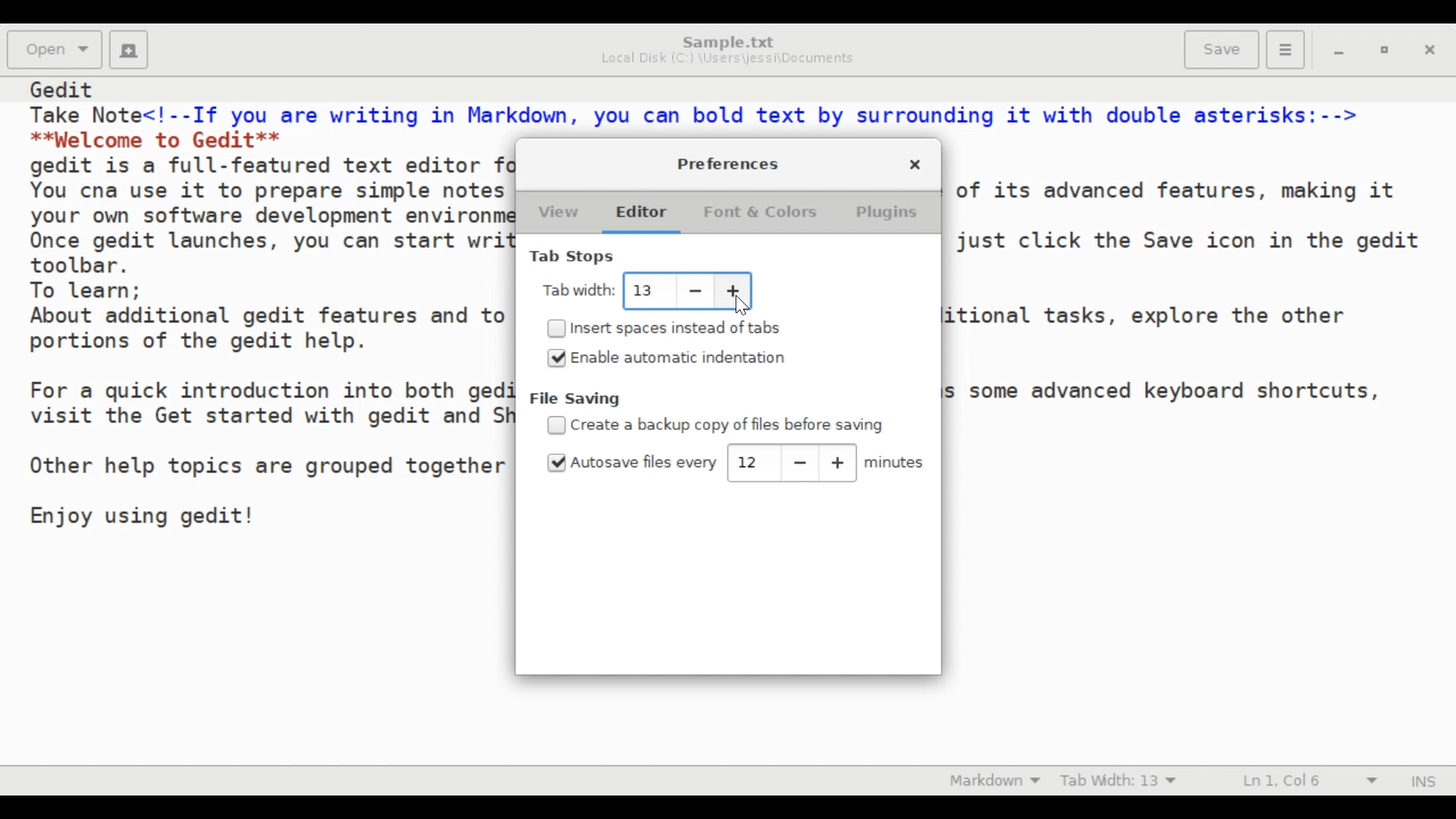  I want to click on Editor (current), so click(645, 215).